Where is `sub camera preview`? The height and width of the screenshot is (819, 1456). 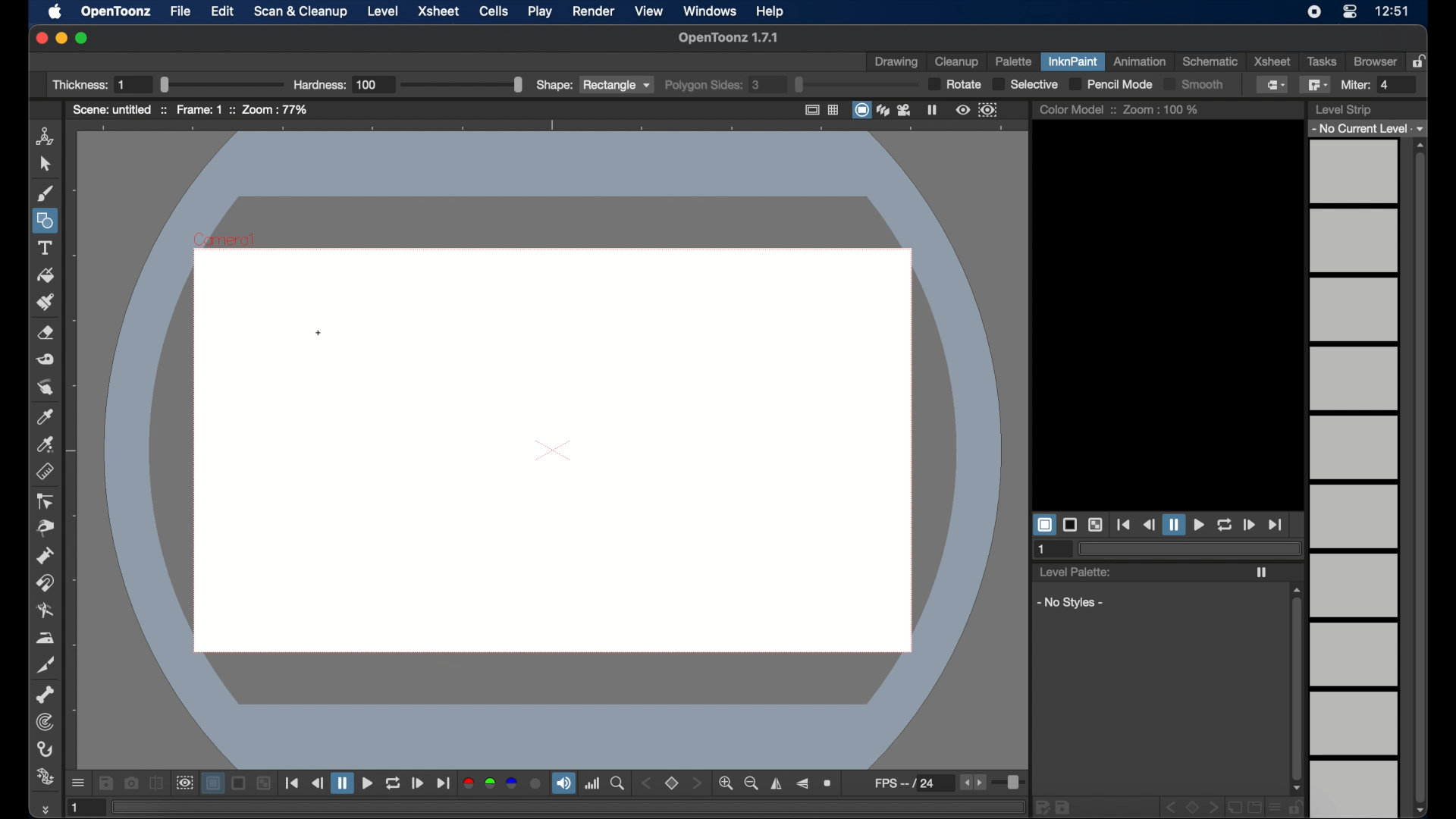
sub camera preview is located at coordinates (988, 110).